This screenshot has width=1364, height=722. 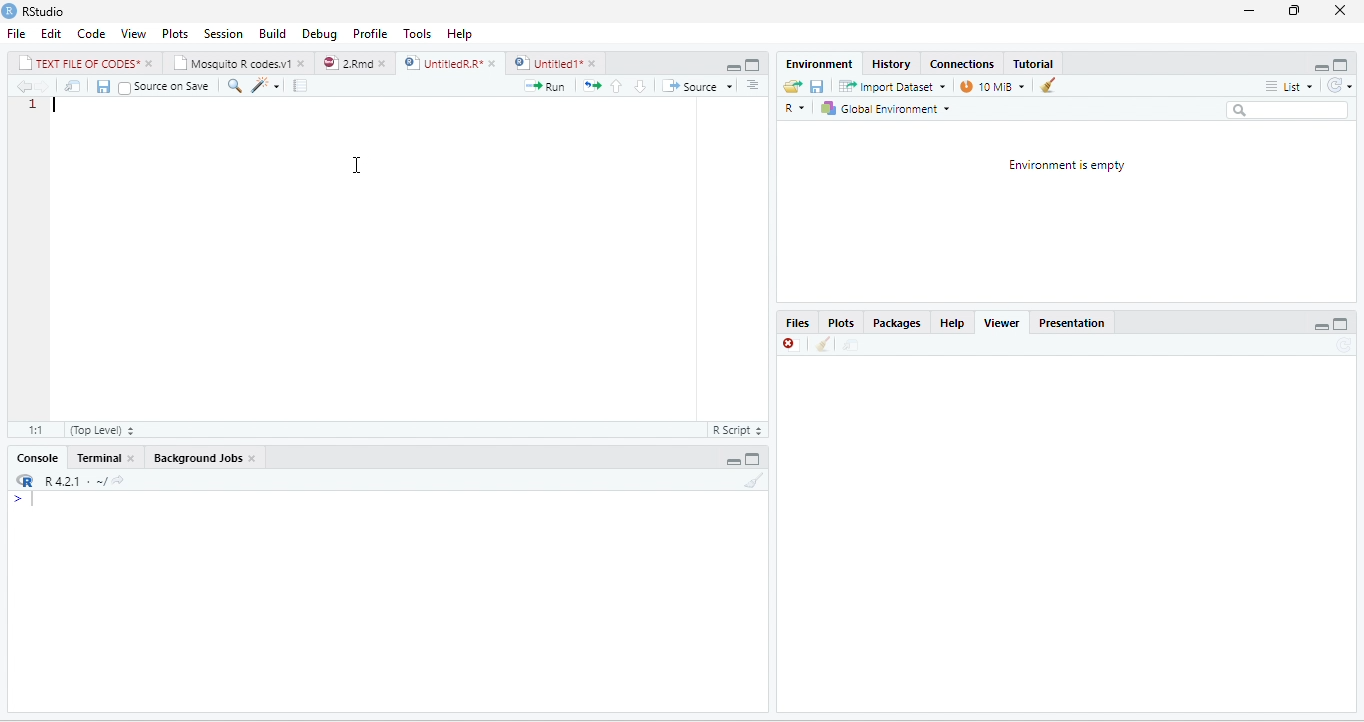 I want to click on , so click(x=268, y=32).